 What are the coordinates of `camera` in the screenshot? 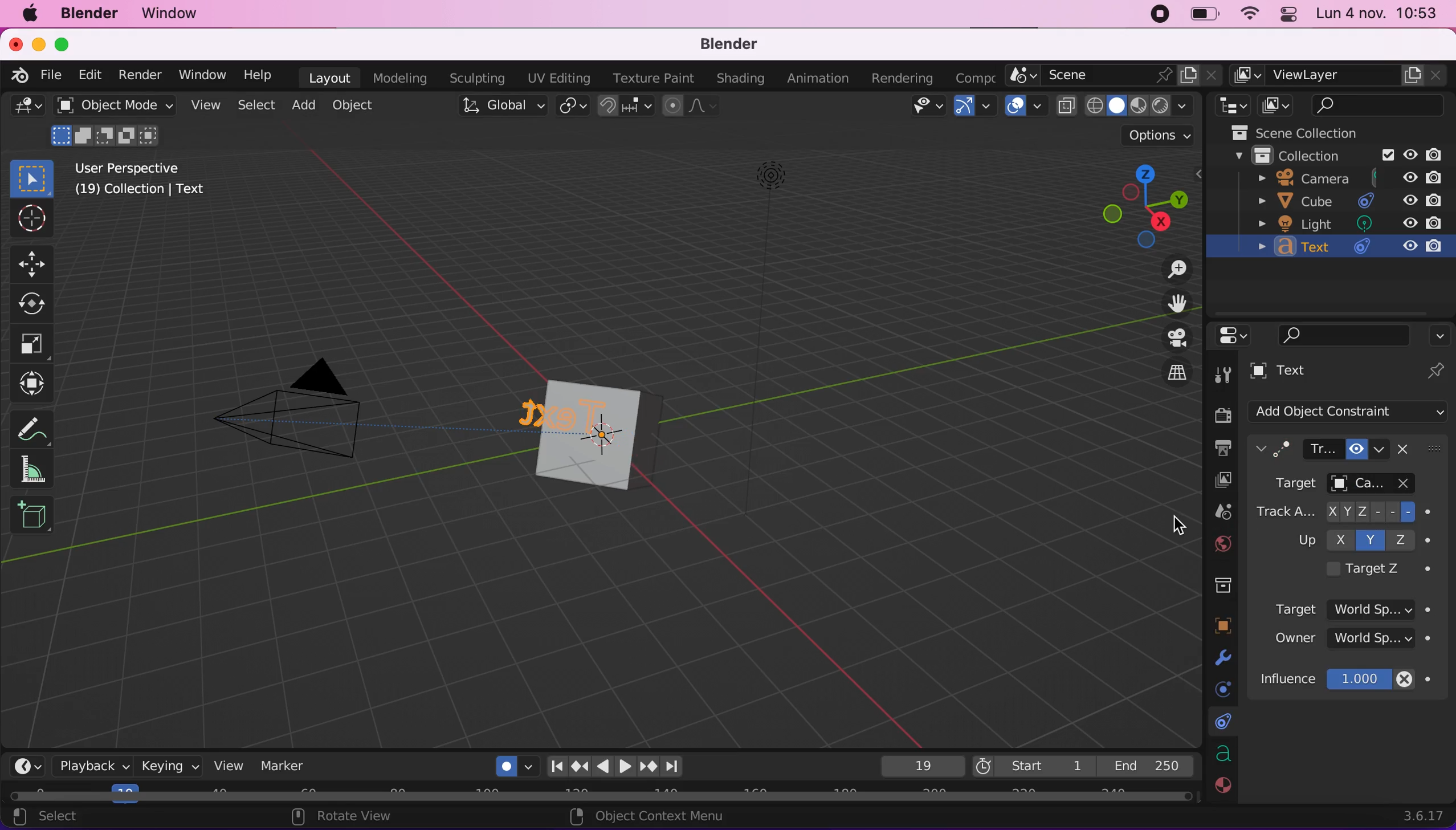 It's located at (309, 422).